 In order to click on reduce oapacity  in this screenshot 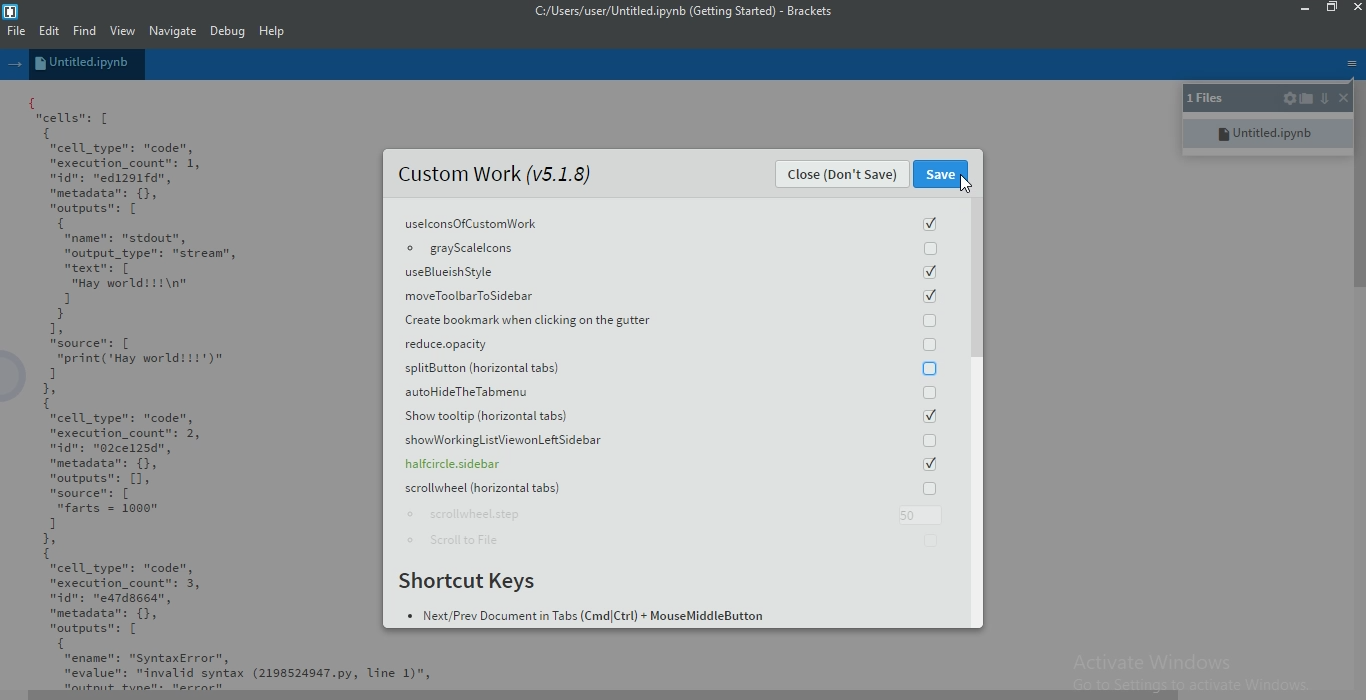, I will do `click(684, 346)`.